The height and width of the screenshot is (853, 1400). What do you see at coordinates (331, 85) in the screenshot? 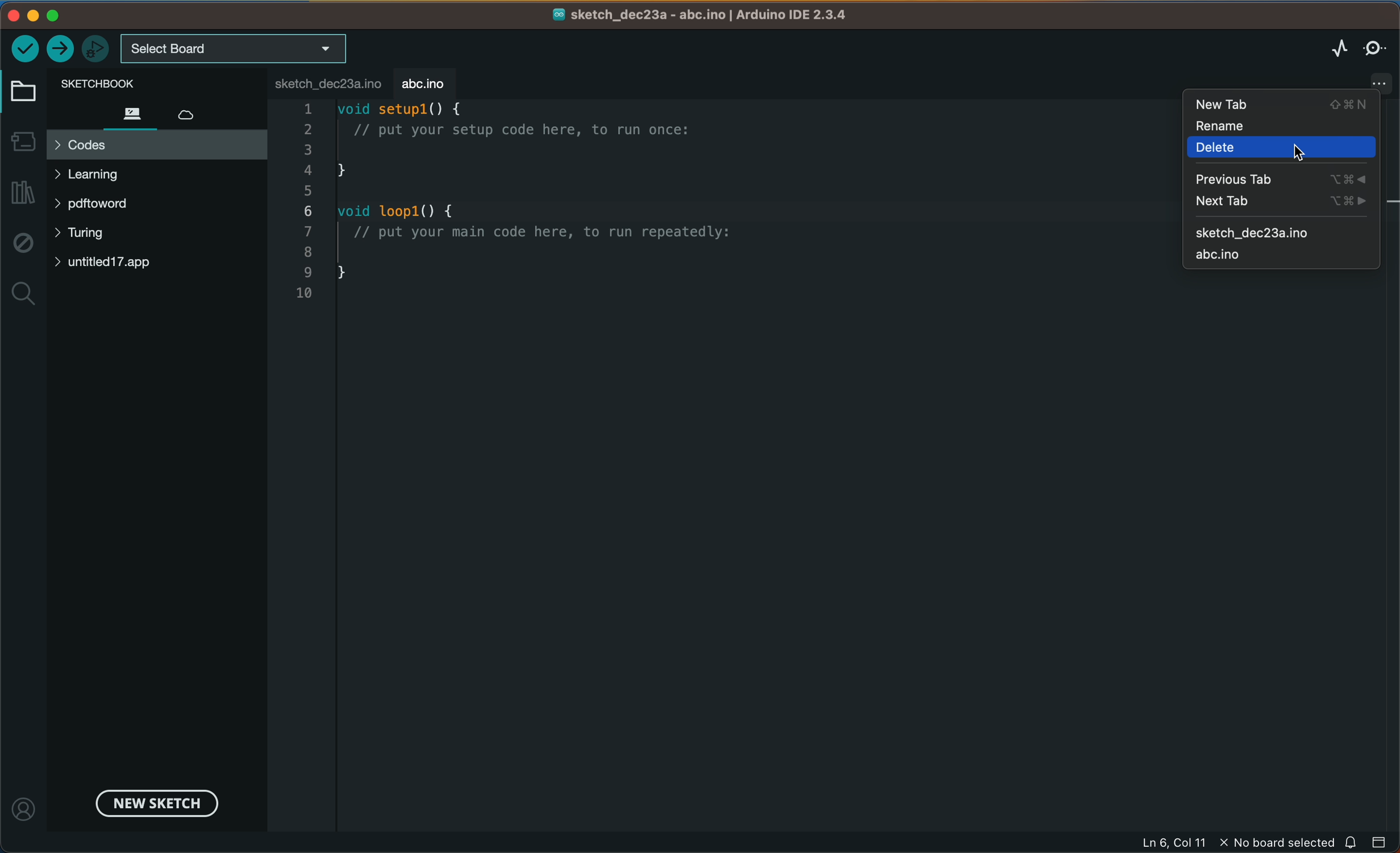
I see `file tab` at bounding box center [331, 85].